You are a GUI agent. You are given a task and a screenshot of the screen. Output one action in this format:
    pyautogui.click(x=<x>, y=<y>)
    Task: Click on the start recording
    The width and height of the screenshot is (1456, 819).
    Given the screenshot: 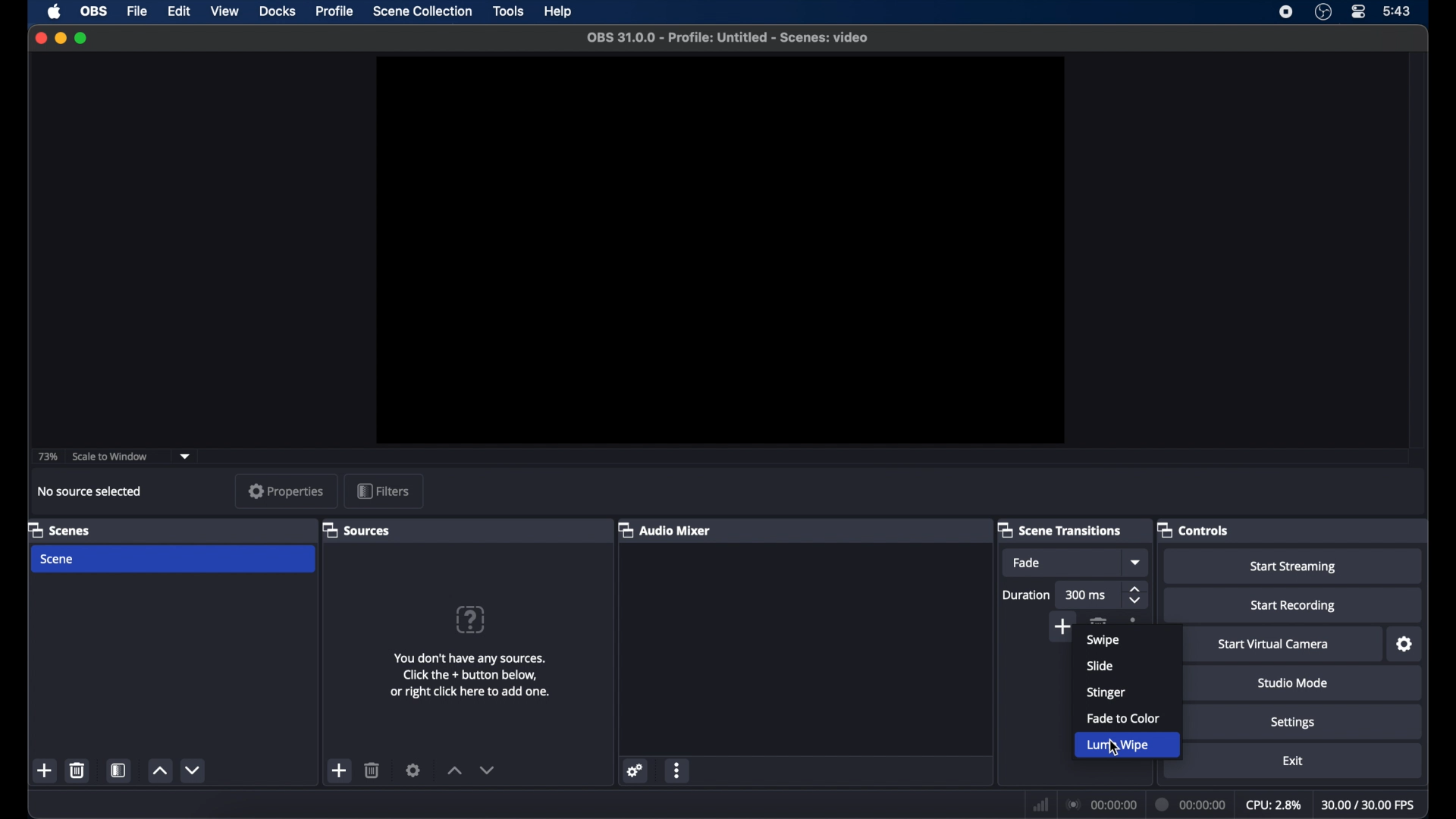 What is the action you would take?
    pyautogui.click(x=1296, y=605)
    